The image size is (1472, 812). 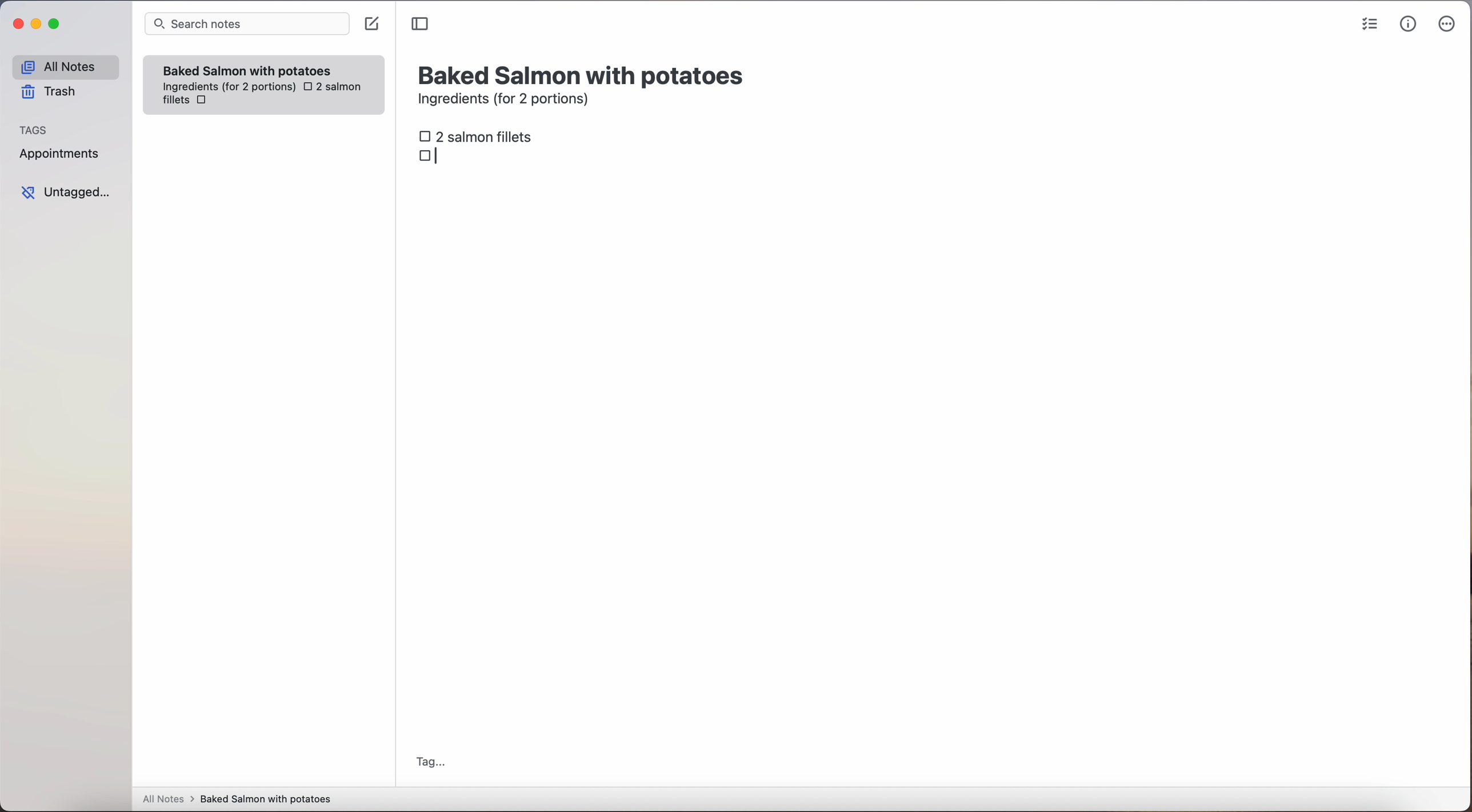 I want to click on ingredients (for 2 portions), so click(x=507, y=101).